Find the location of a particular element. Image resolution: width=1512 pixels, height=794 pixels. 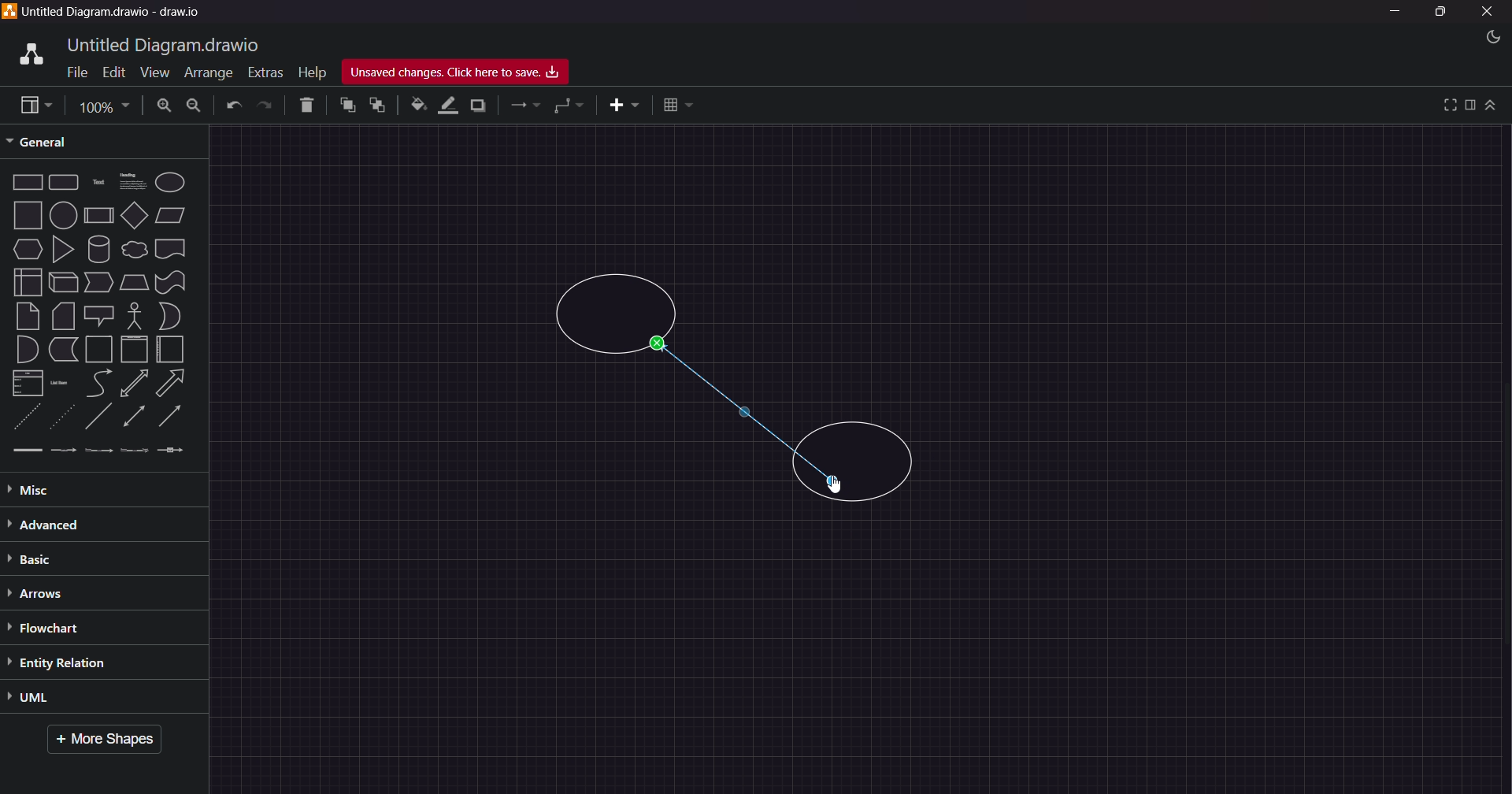

to front is located at coordinates (346, 106).